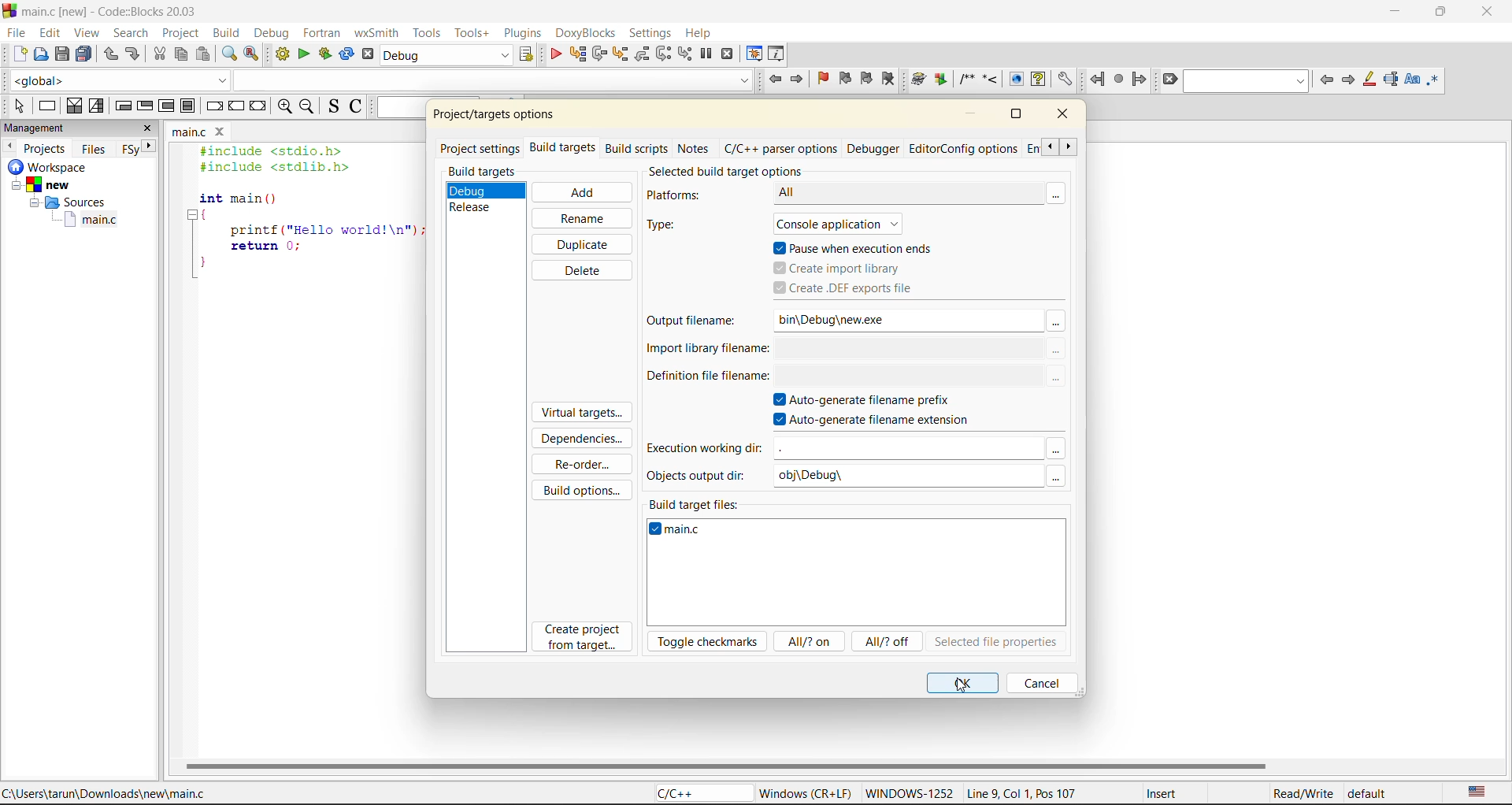  I want to click on paste, so click(206, 55).